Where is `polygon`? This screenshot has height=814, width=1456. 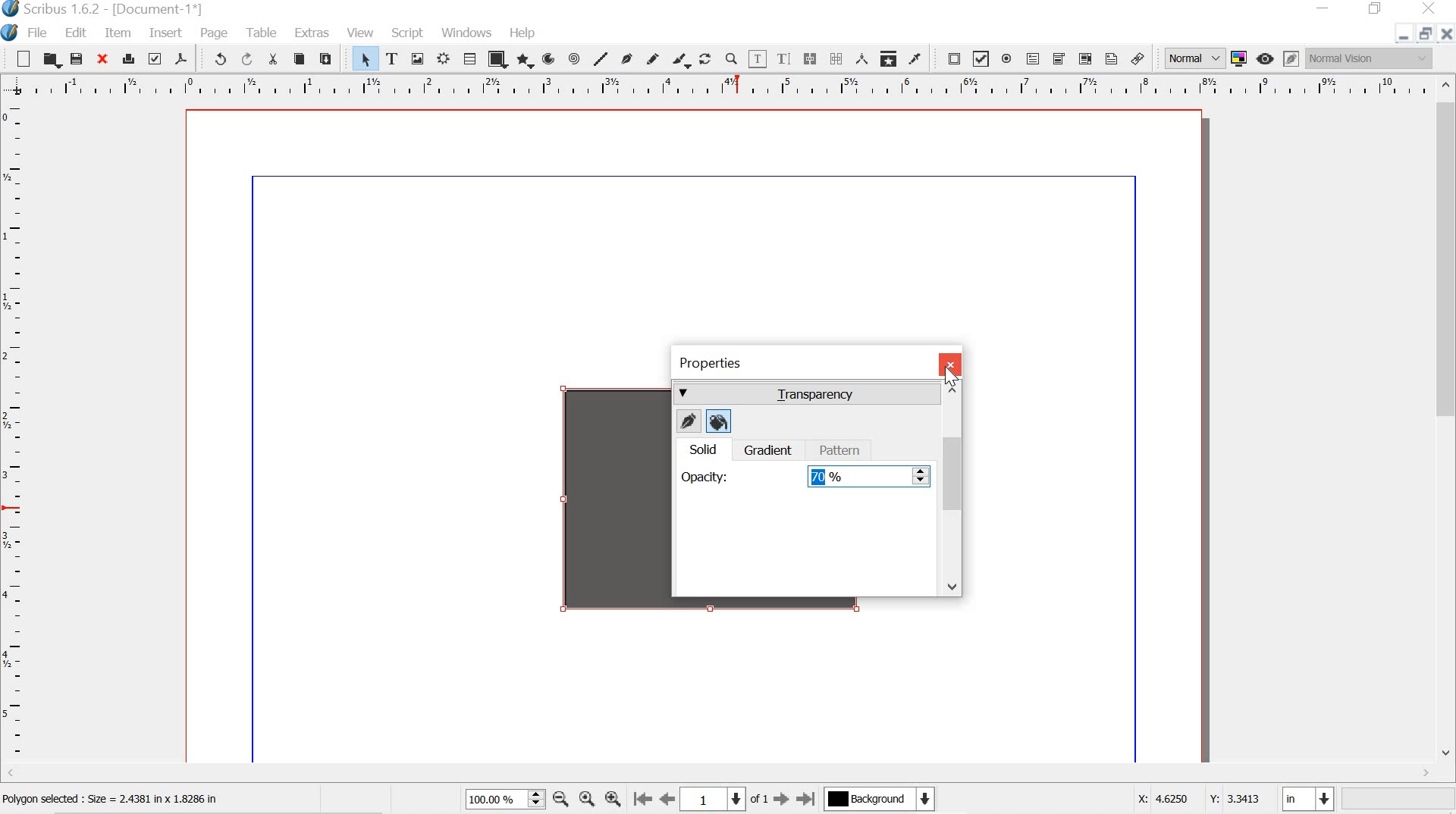
polygon is located at coordinates (525, 62).